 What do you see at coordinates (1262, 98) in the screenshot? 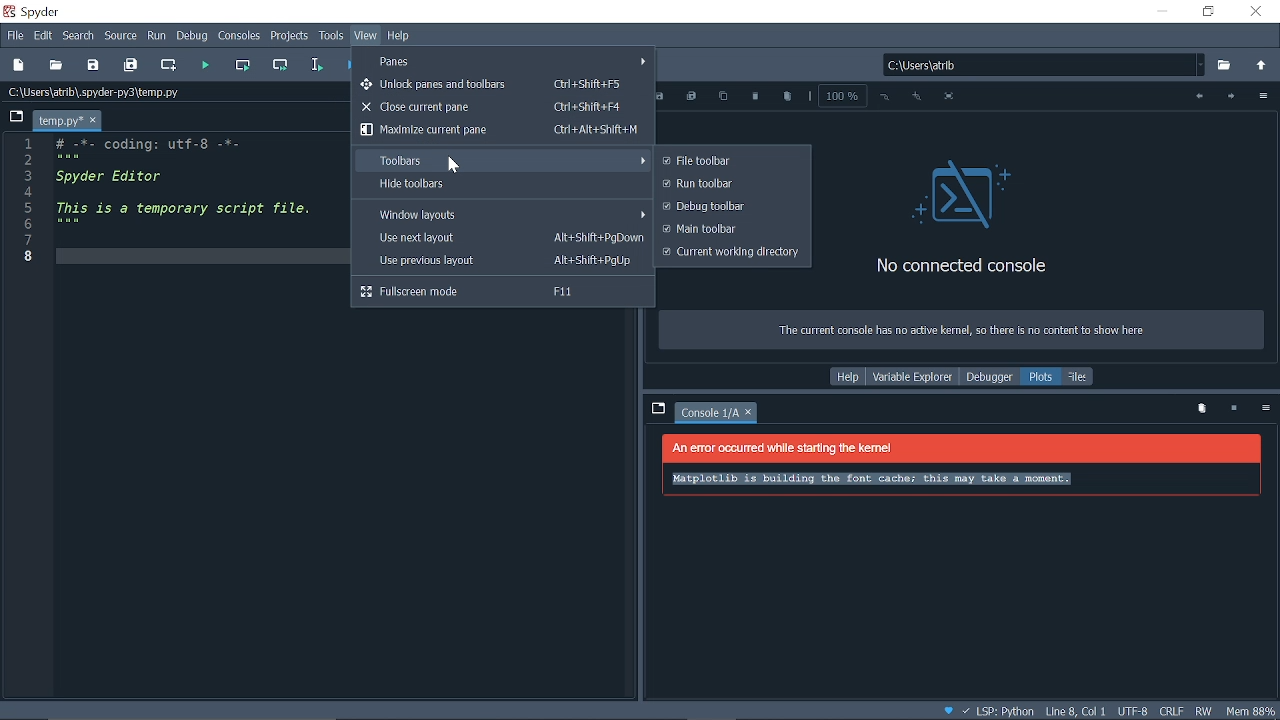
I see `Options` at bounding box center [1262, 98].